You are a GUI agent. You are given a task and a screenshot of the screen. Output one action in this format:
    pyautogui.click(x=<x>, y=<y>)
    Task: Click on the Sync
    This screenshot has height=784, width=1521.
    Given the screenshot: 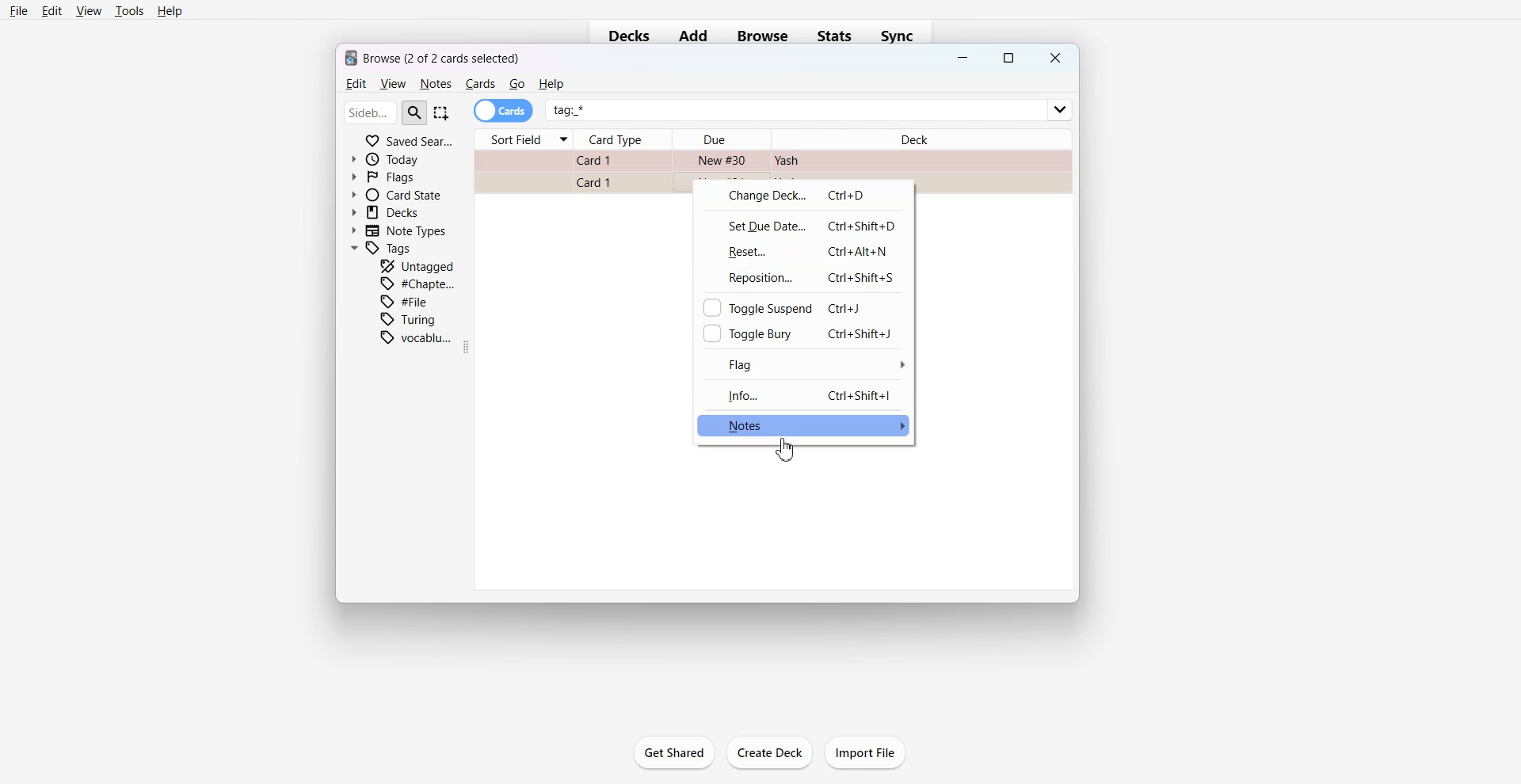 What is the action you would take?
    pyautogui.click(x=902, y=36)
    